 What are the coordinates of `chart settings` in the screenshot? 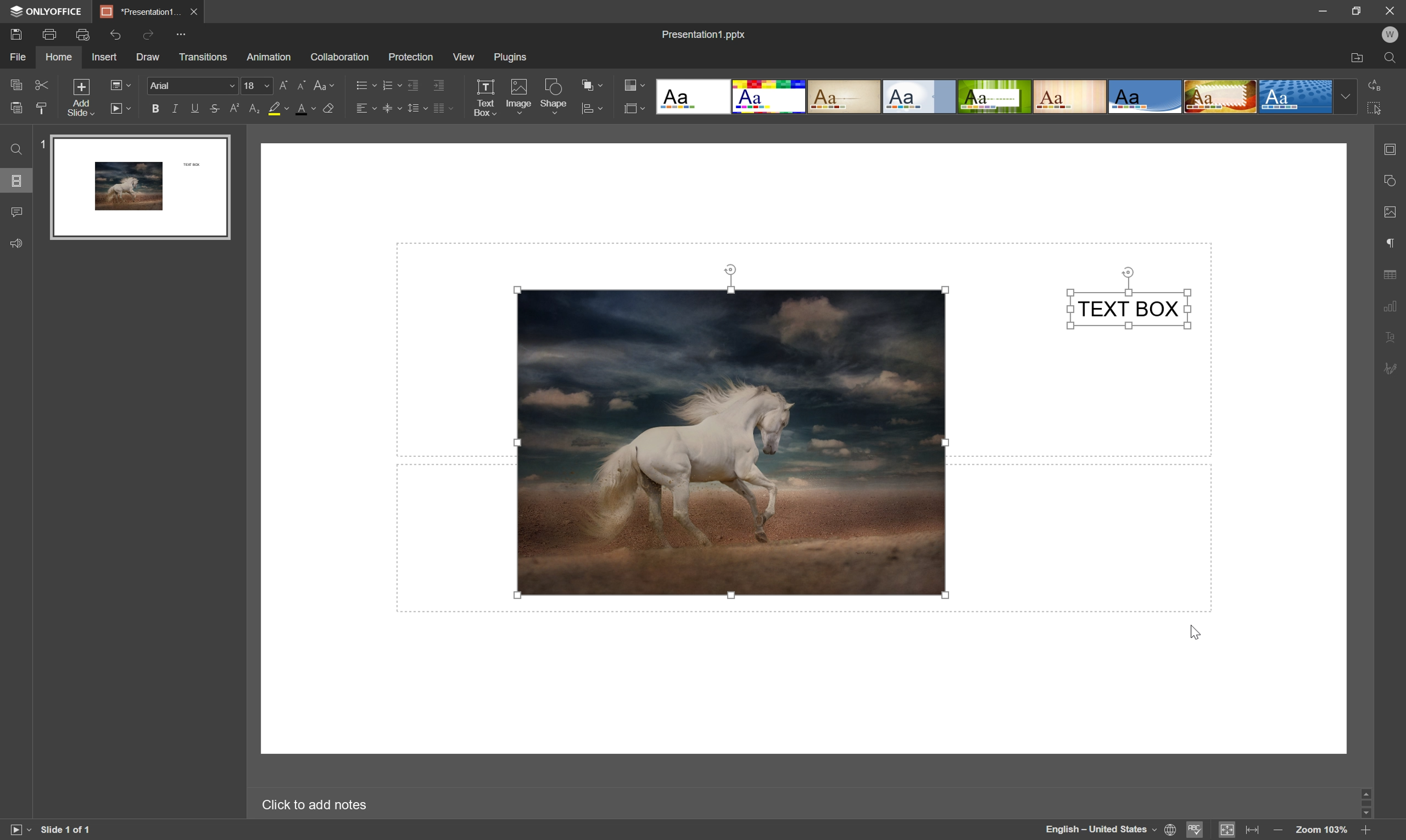 It's located at (1390, 303).